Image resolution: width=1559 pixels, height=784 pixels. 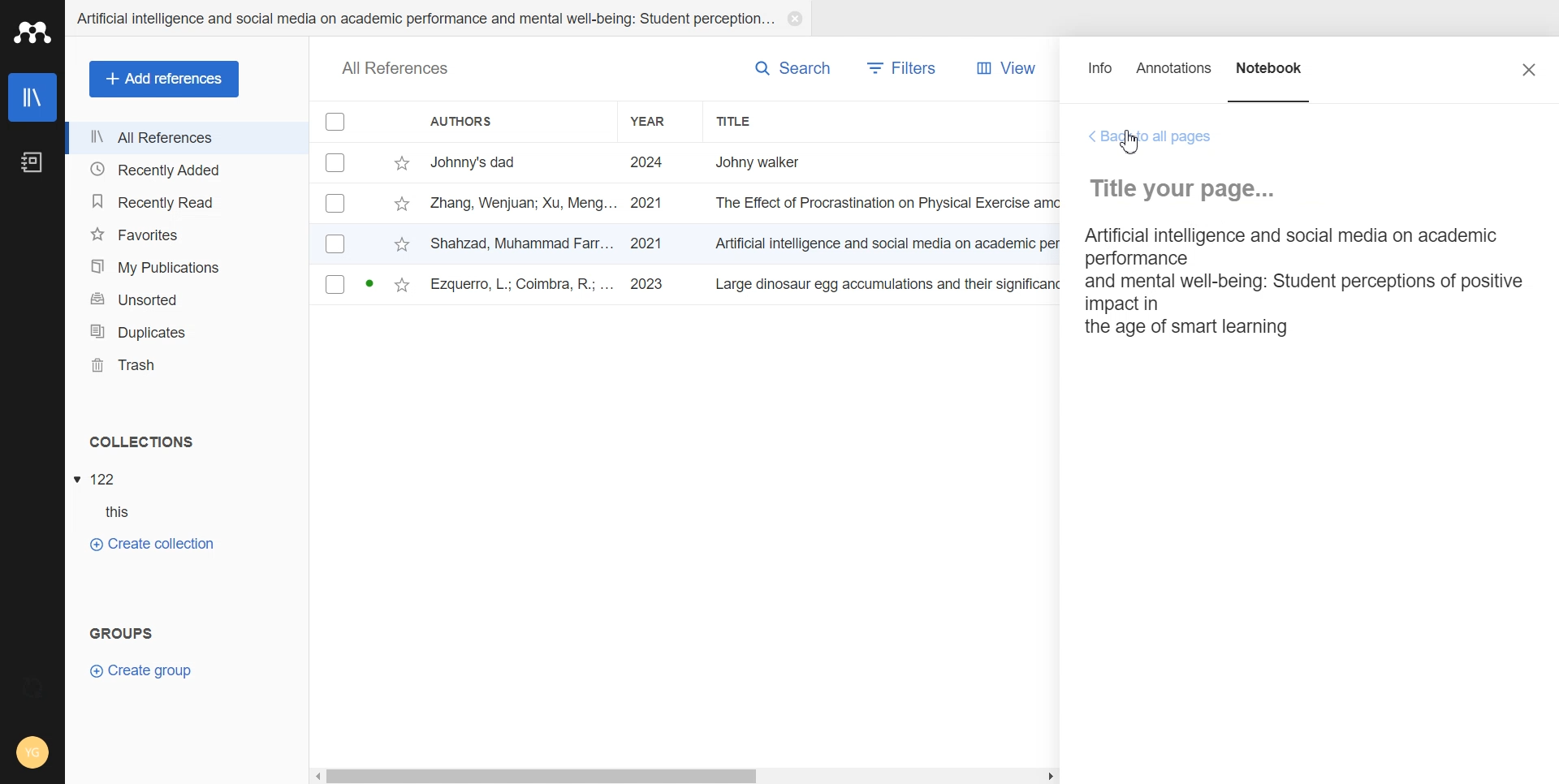 I want to click on Notebook, so click(x=1271, y=75).